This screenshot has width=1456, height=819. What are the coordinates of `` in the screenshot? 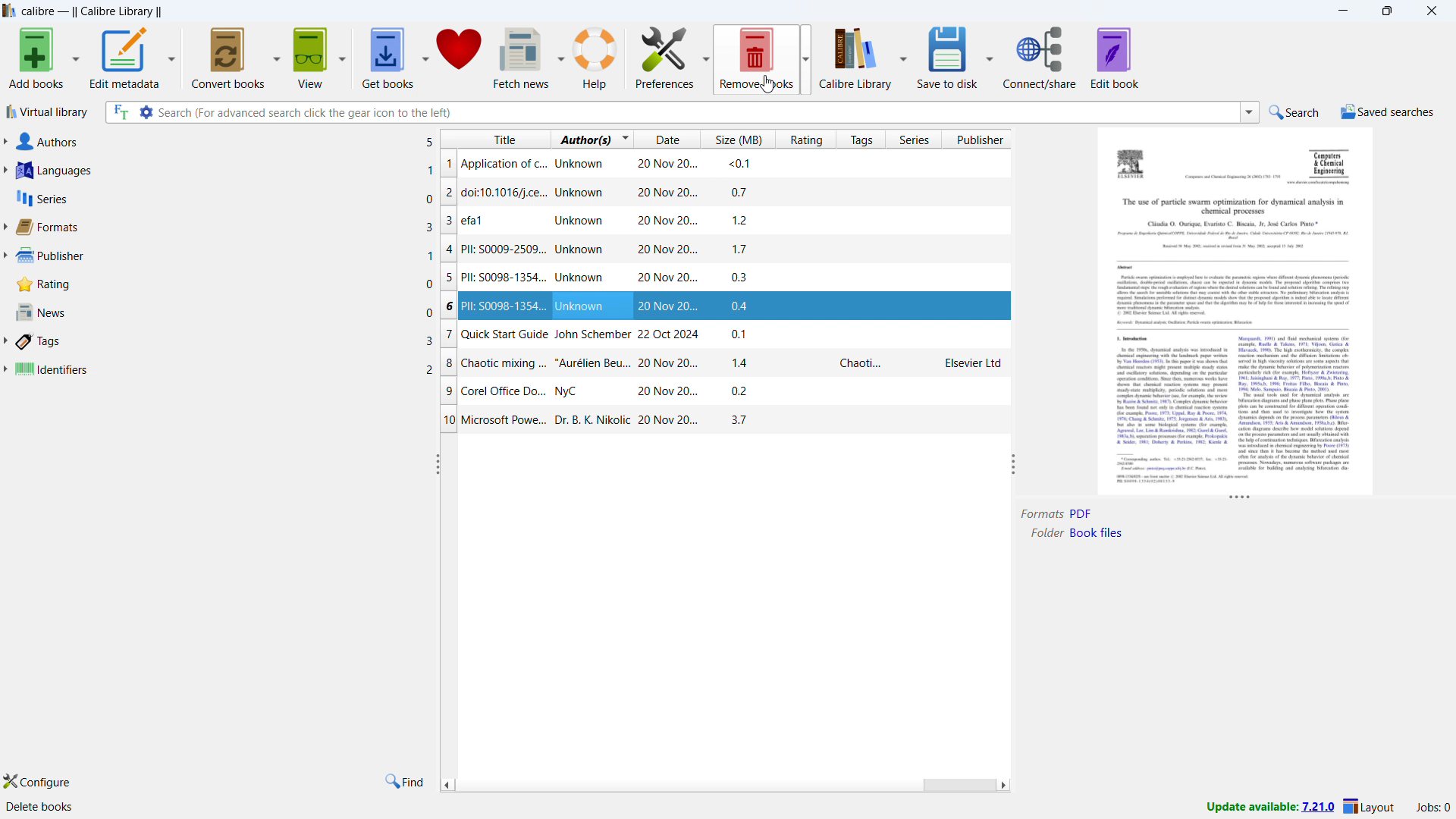 It's located at (1084, 513).